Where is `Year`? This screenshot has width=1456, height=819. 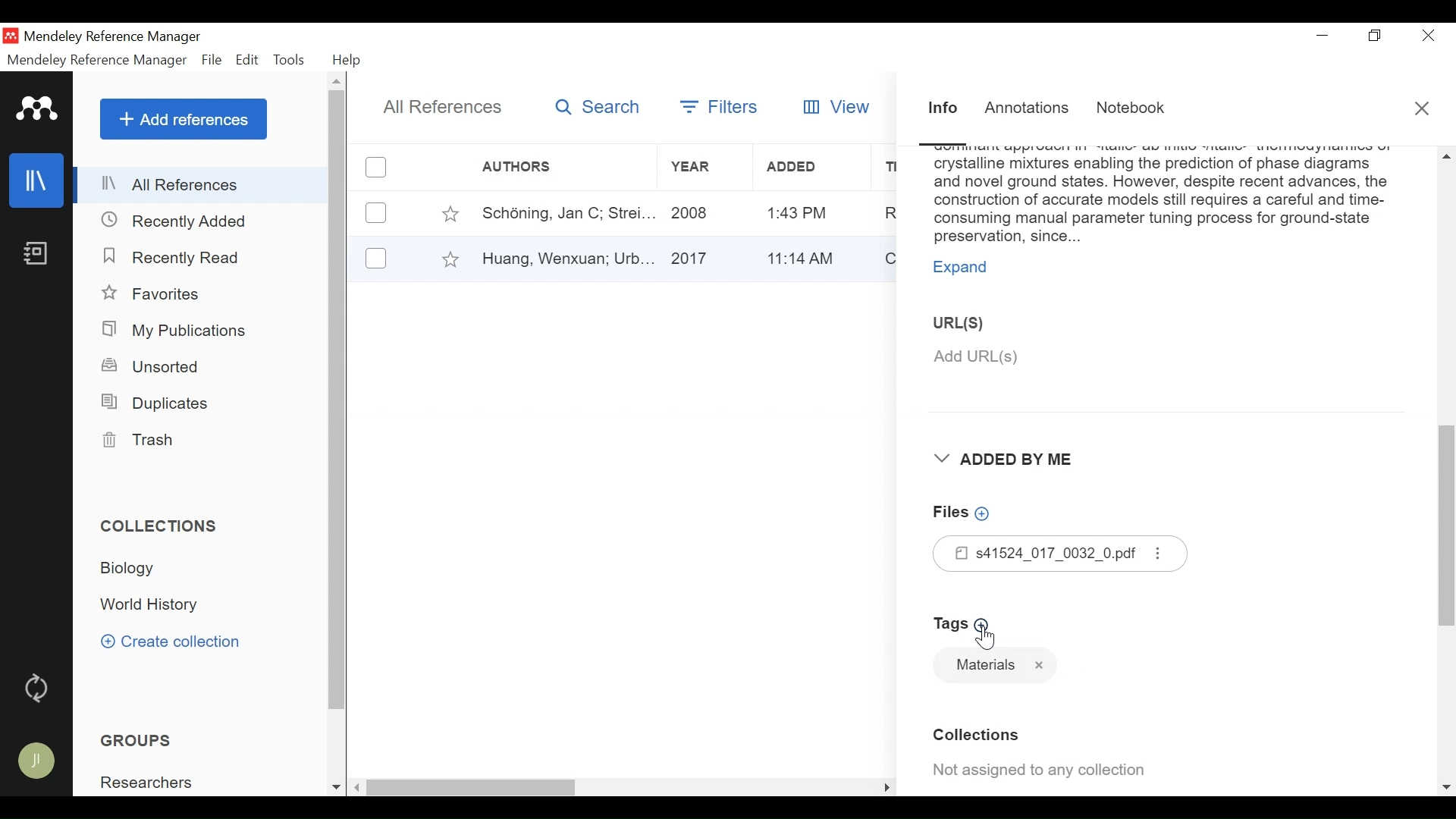 Year is located at coordinates (700, 167).